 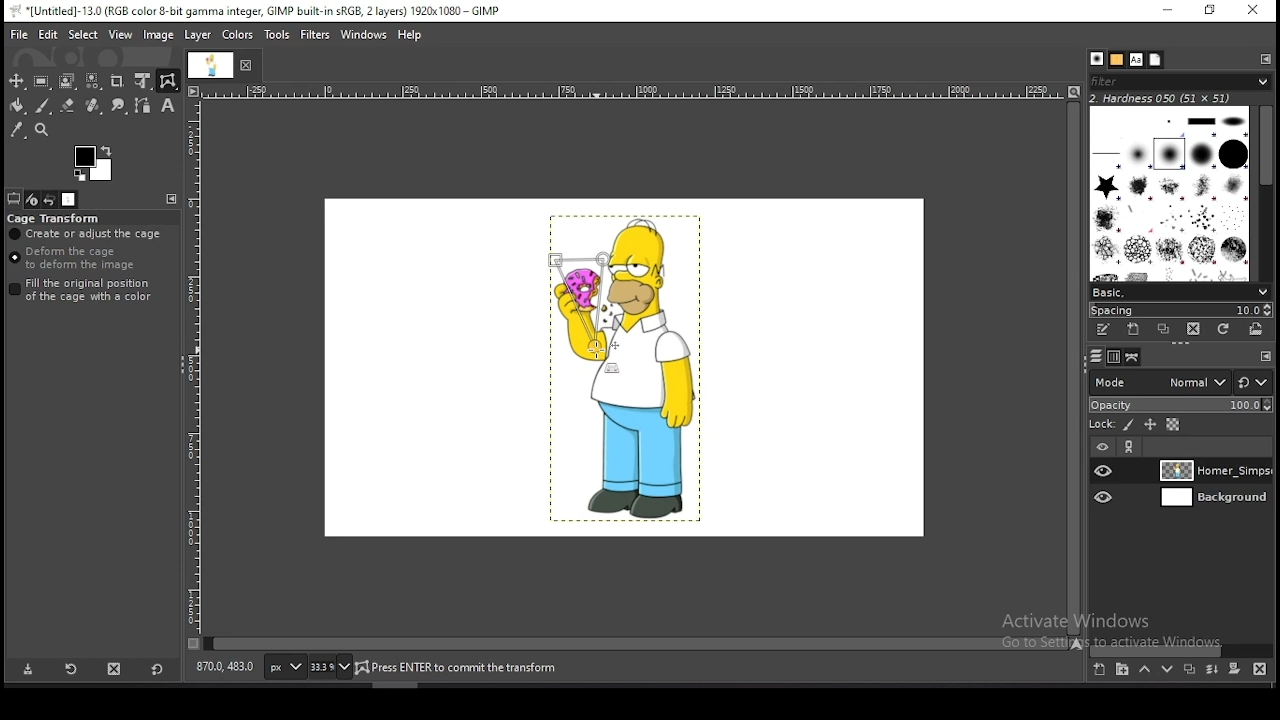 I want to click on healing tool, so click(x=93, y=105).